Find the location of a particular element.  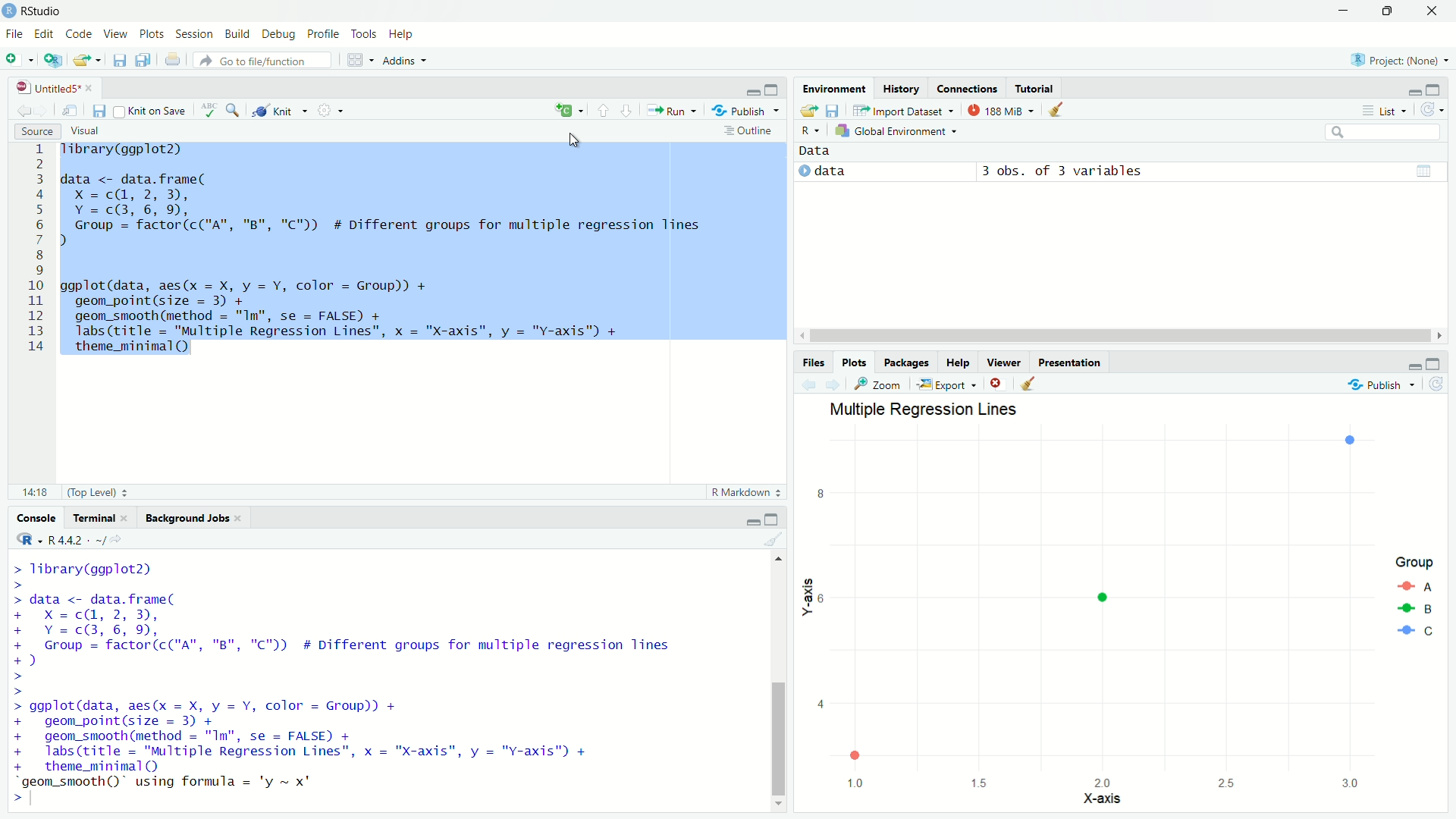

Console is located at coordinates (27, 518).